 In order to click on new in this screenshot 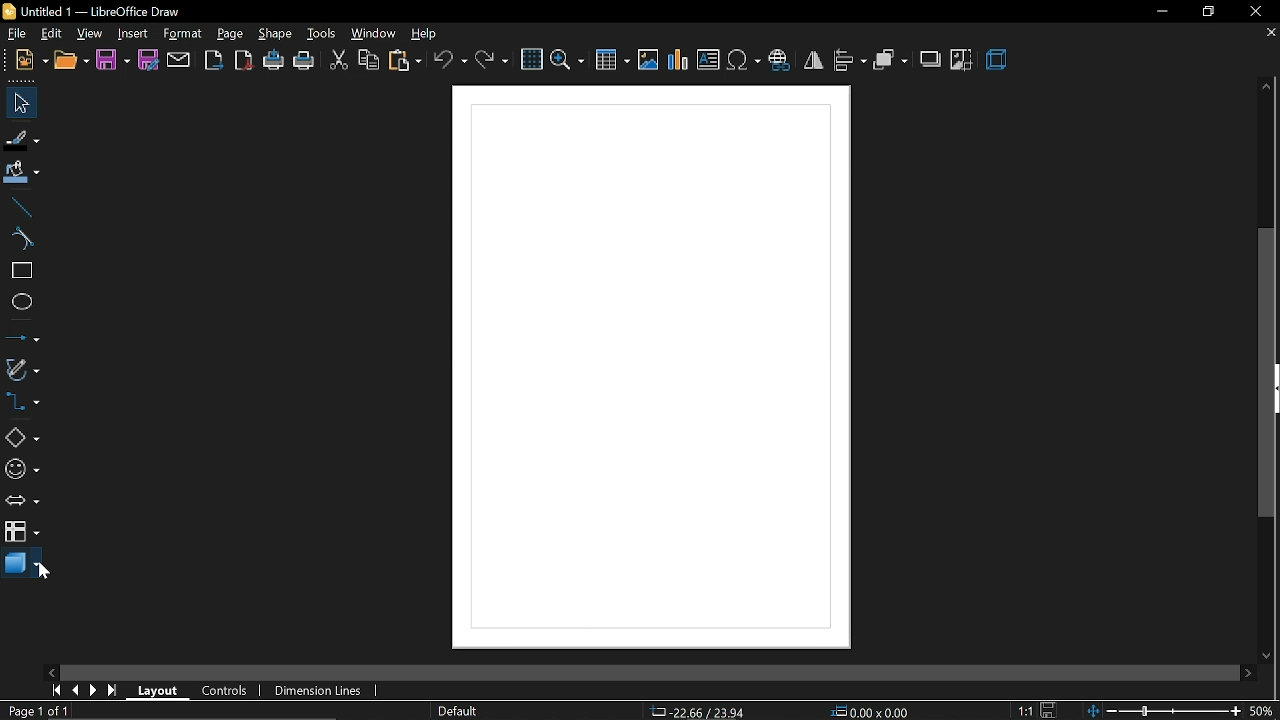, I will do `click(30, 60)`.